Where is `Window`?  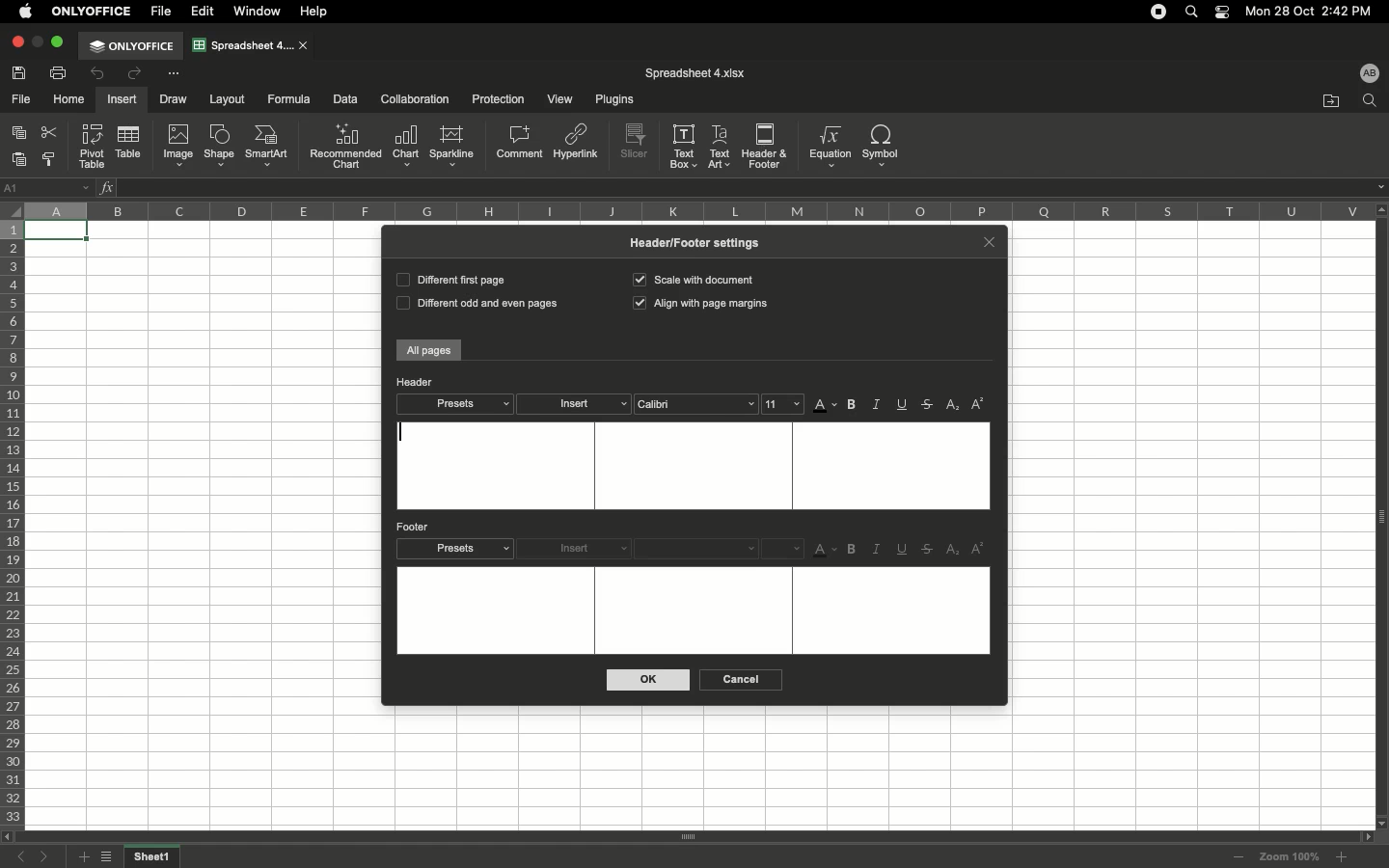 Window is located at coordinates (260, 12).